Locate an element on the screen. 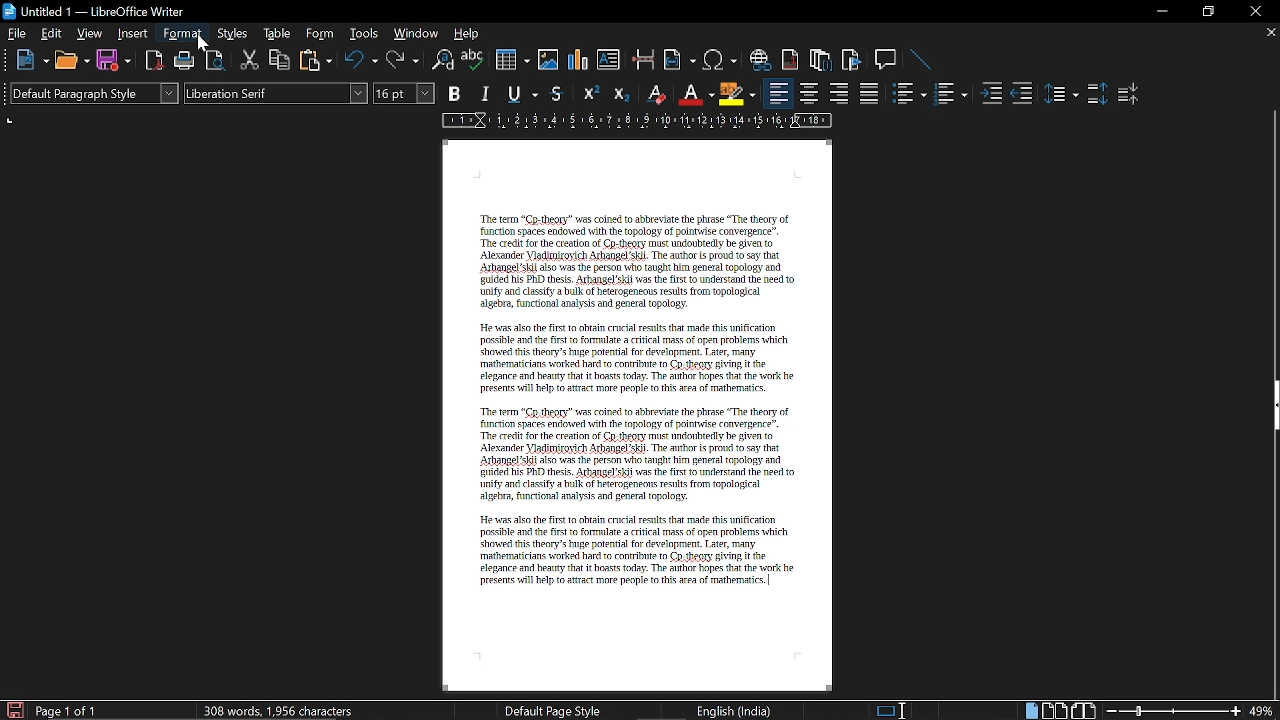  Find and replace is located at coordinates (443, 62).